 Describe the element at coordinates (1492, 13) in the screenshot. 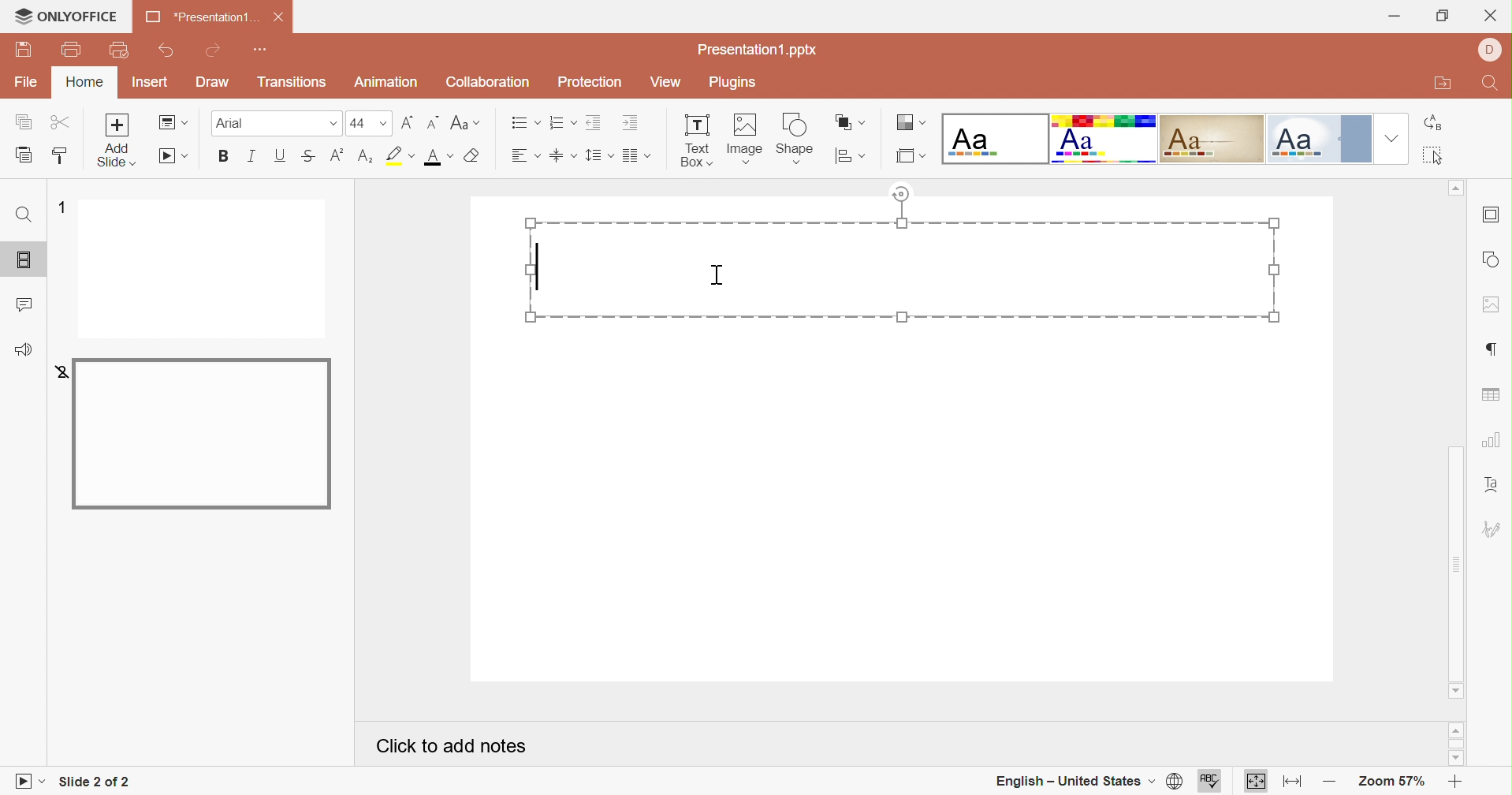

I see `Close` at that location.